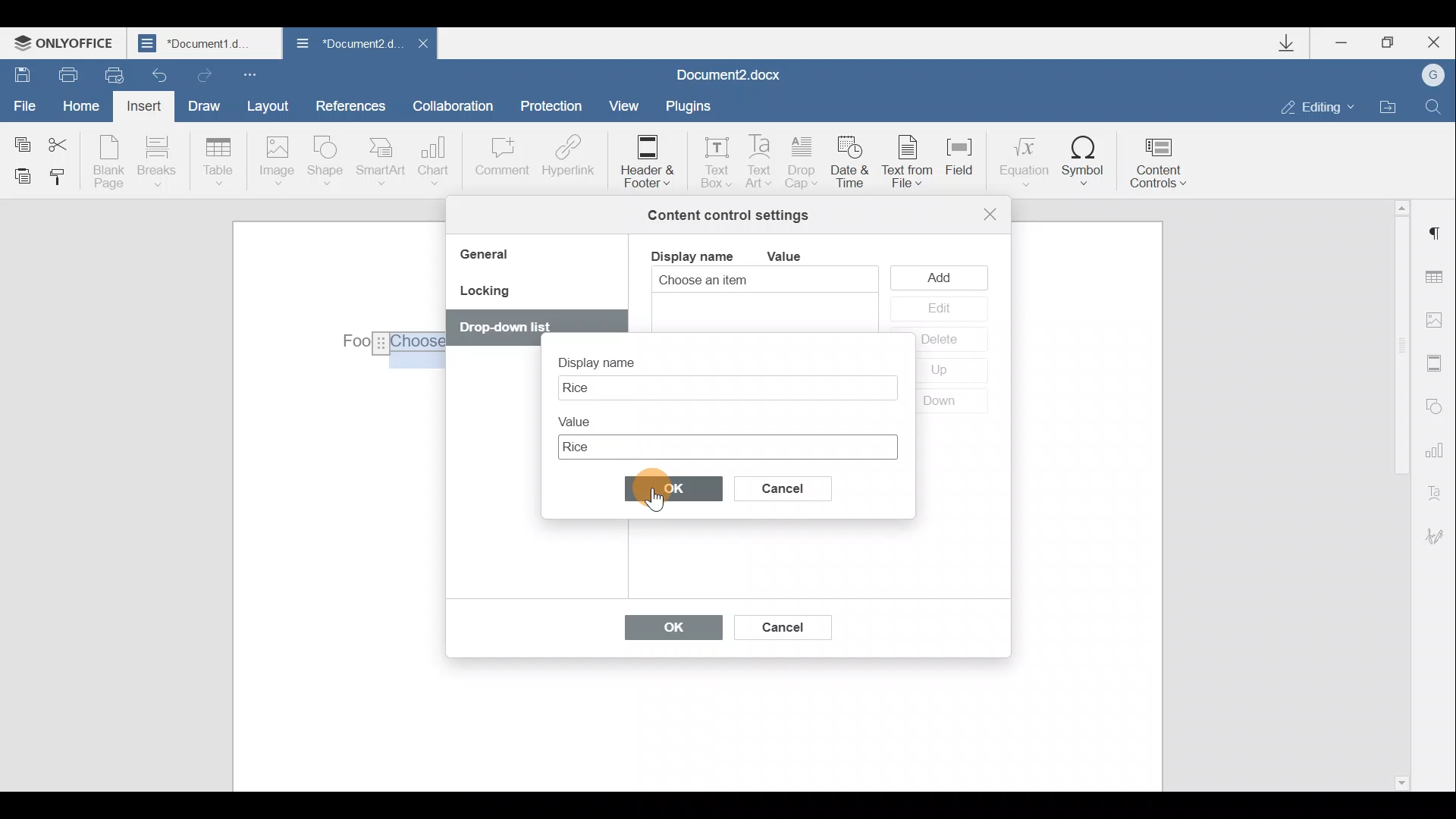  Describe the element at coordinates (646, 160) in the screenshot. I see `Header & footer` at that location.